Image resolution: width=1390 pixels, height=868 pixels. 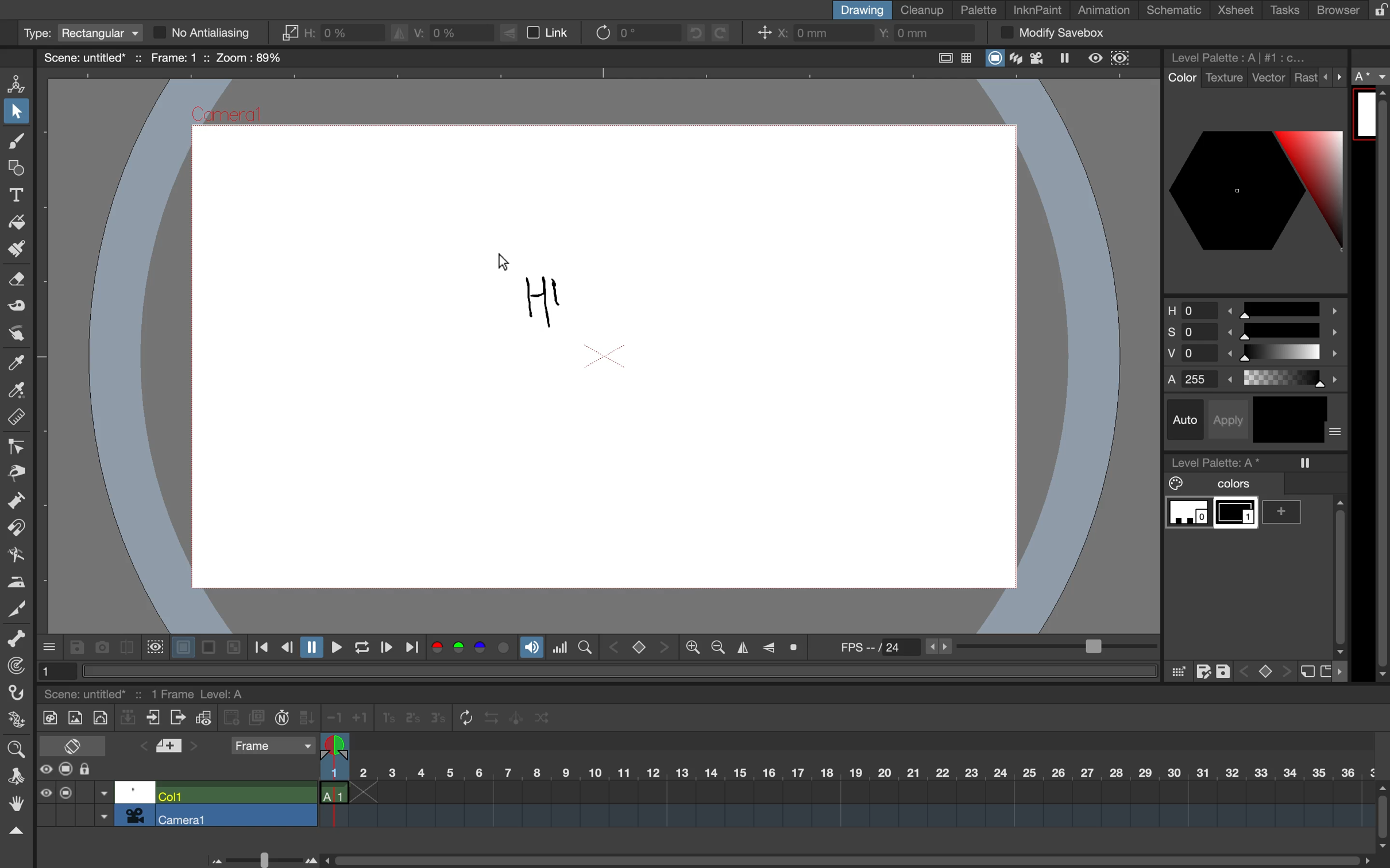 I want to click on define sub camera, so click(x=153, y=646).